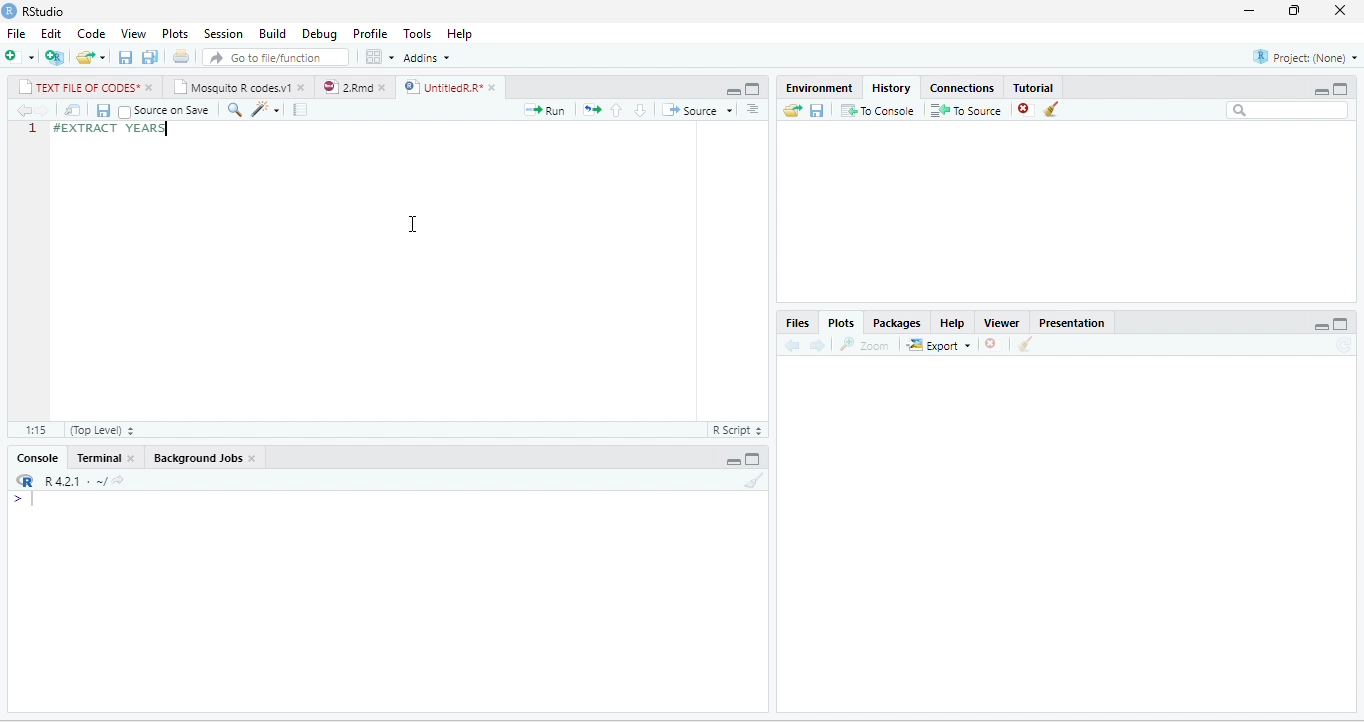  I want to click on maximize, so click(753, 89).